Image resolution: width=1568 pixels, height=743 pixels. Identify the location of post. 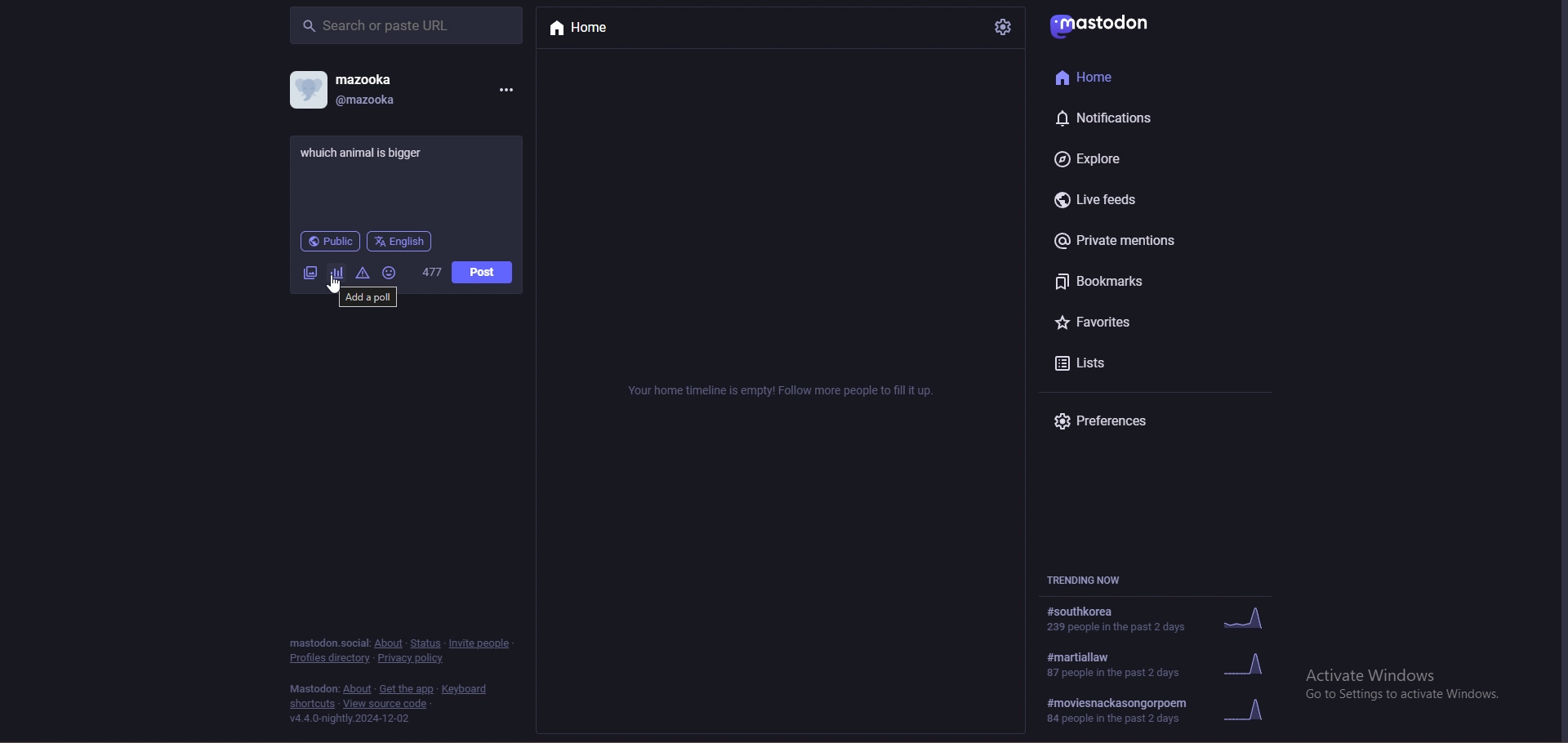
(483, 273).